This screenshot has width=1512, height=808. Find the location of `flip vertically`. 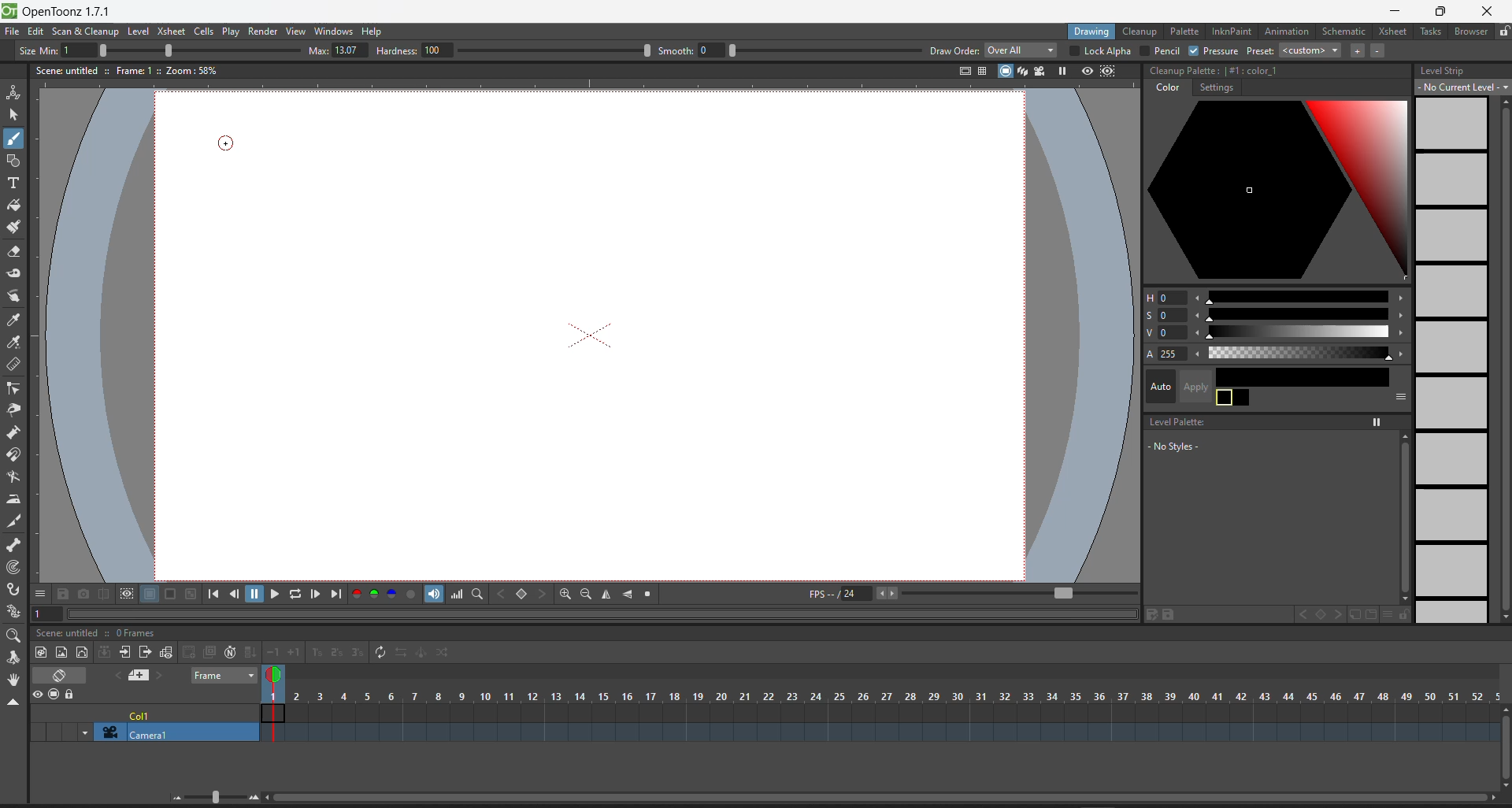

flip vertically is located at coordinates (628, 595).